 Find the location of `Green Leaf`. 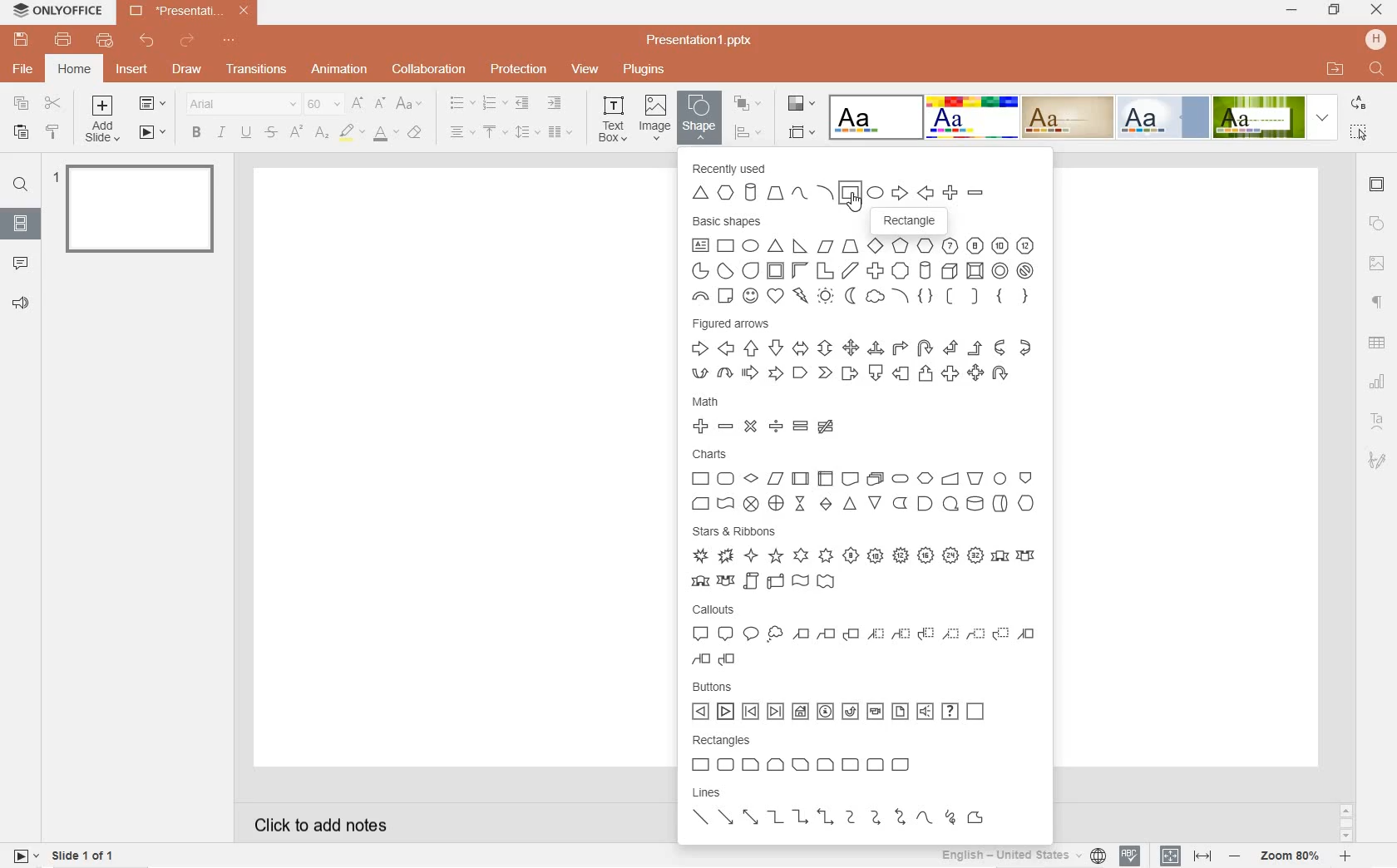

Green Leaf is located at coordinates (1258, 116).